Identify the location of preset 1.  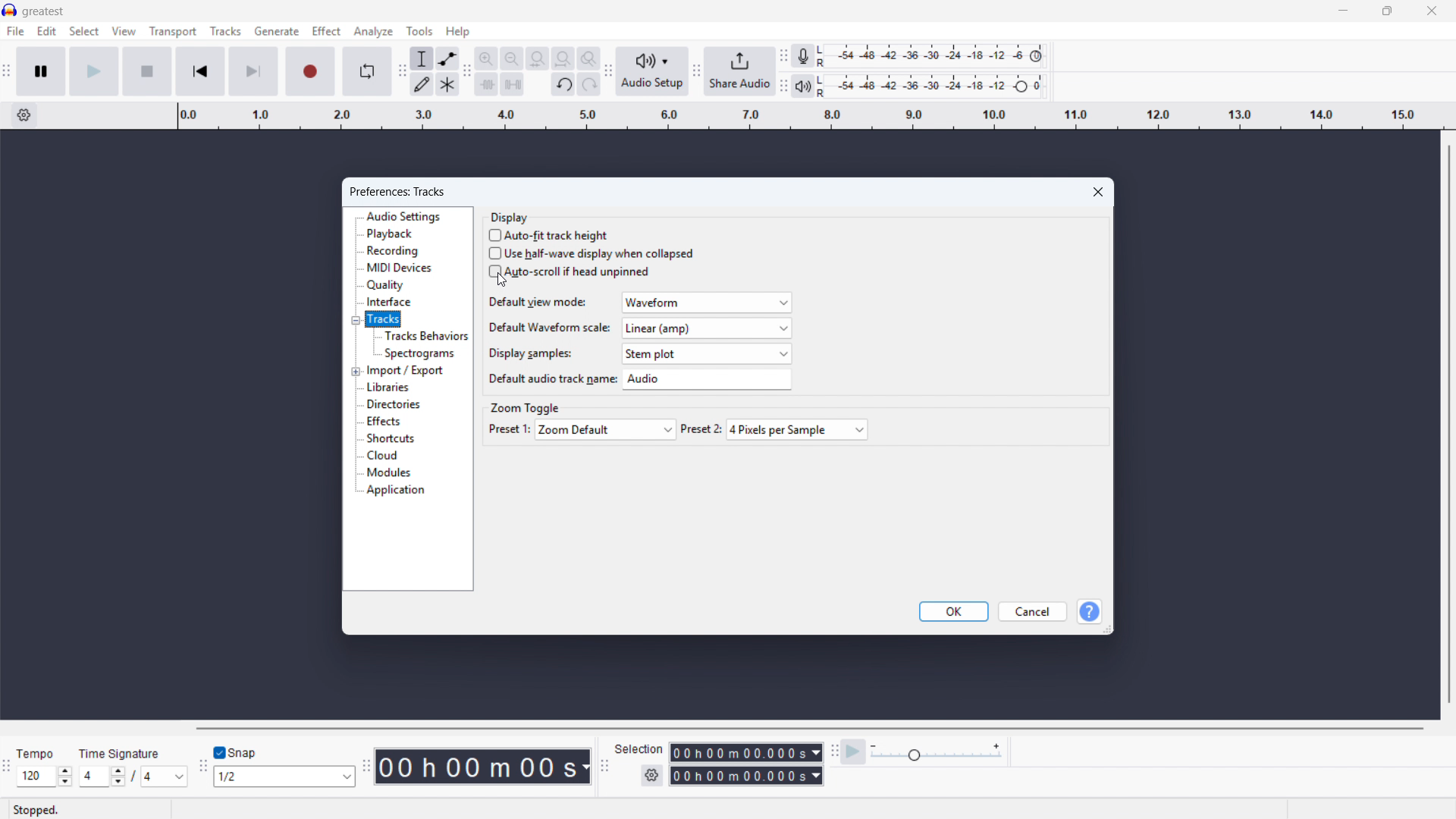
(508, 428).